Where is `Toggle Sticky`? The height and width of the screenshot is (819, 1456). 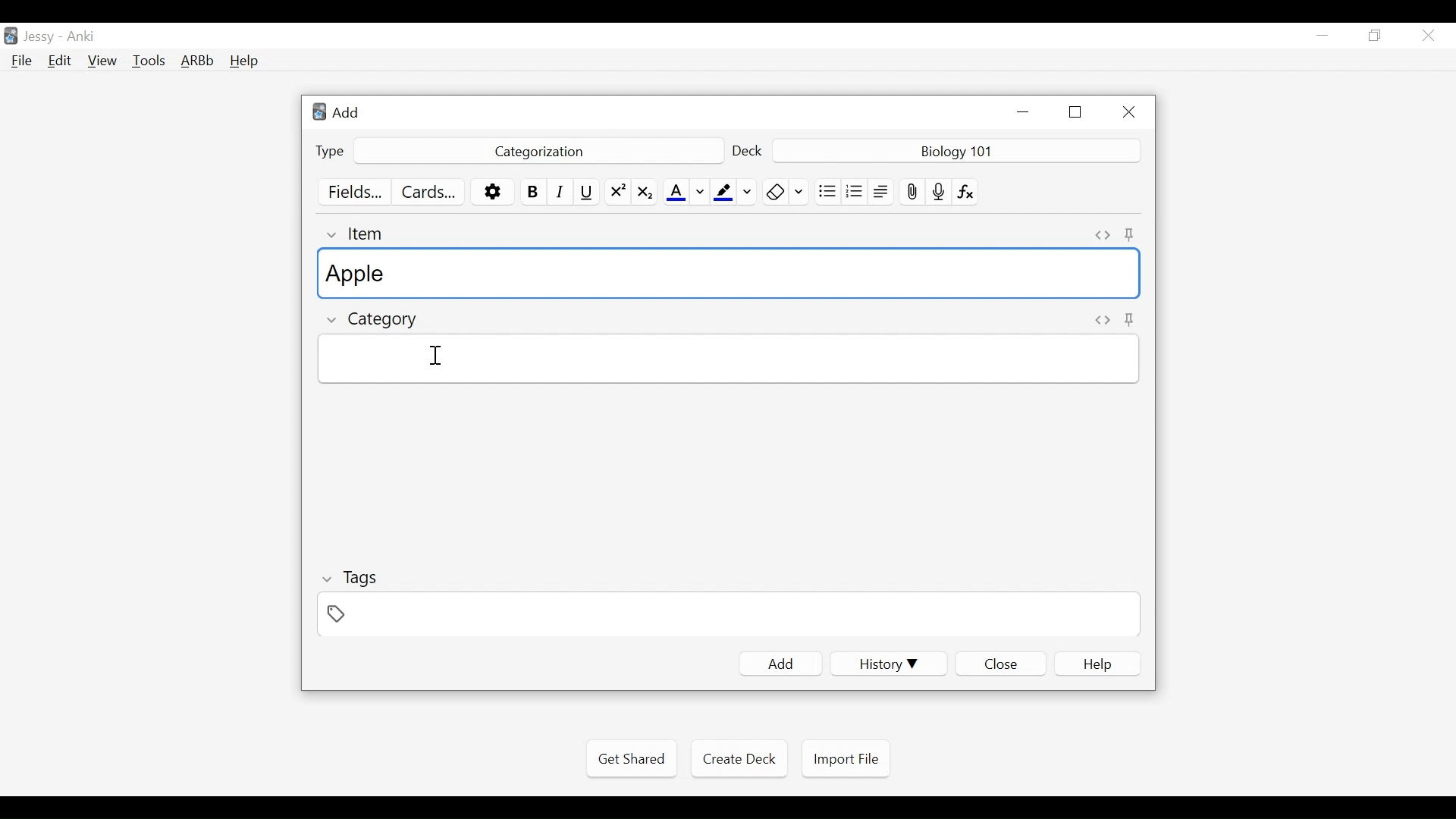
Toggle Sticky is located at coordinates (1131, 236).